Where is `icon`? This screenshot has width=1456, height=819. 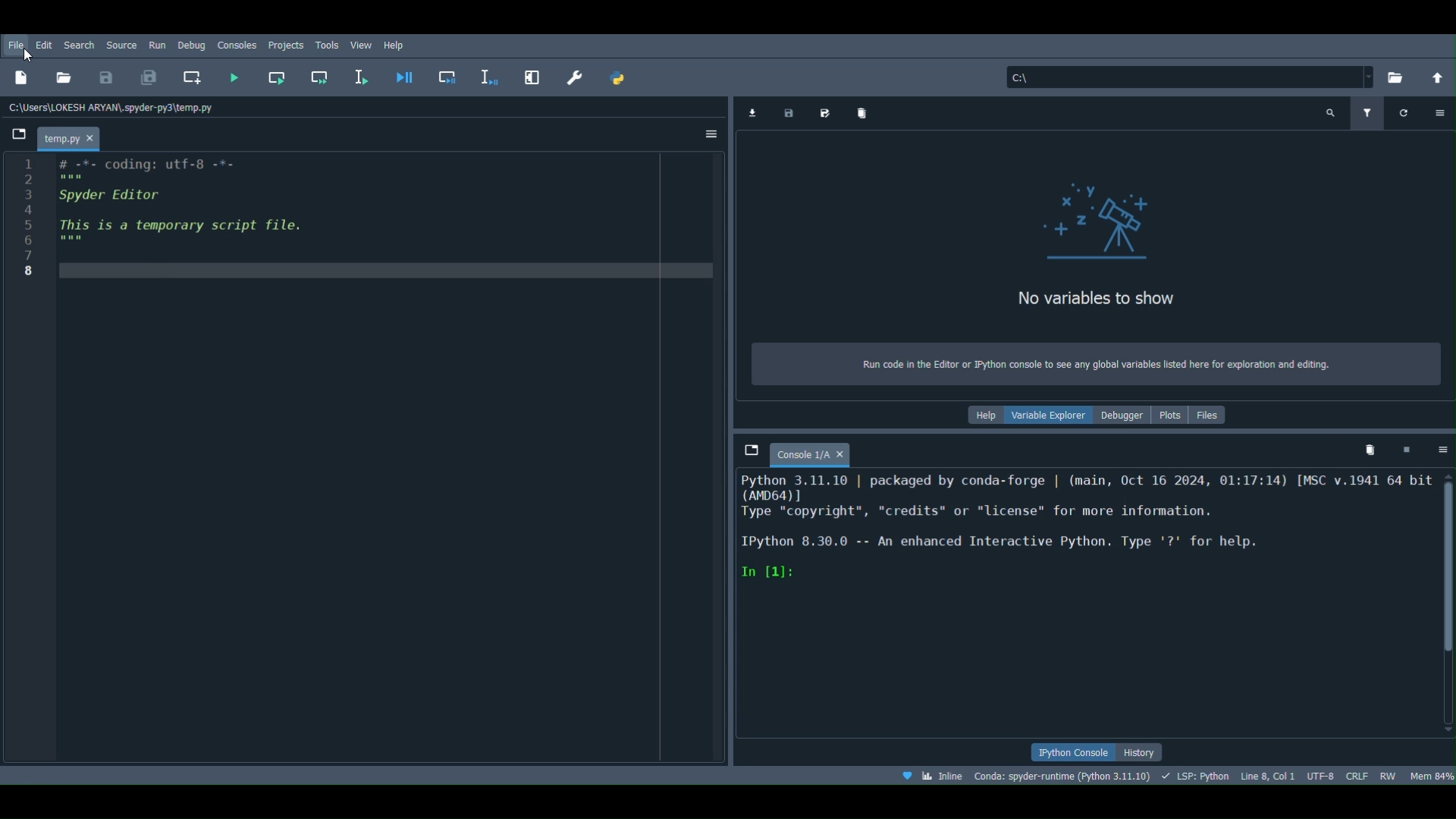
icon is located at coordinates (1085, 219).